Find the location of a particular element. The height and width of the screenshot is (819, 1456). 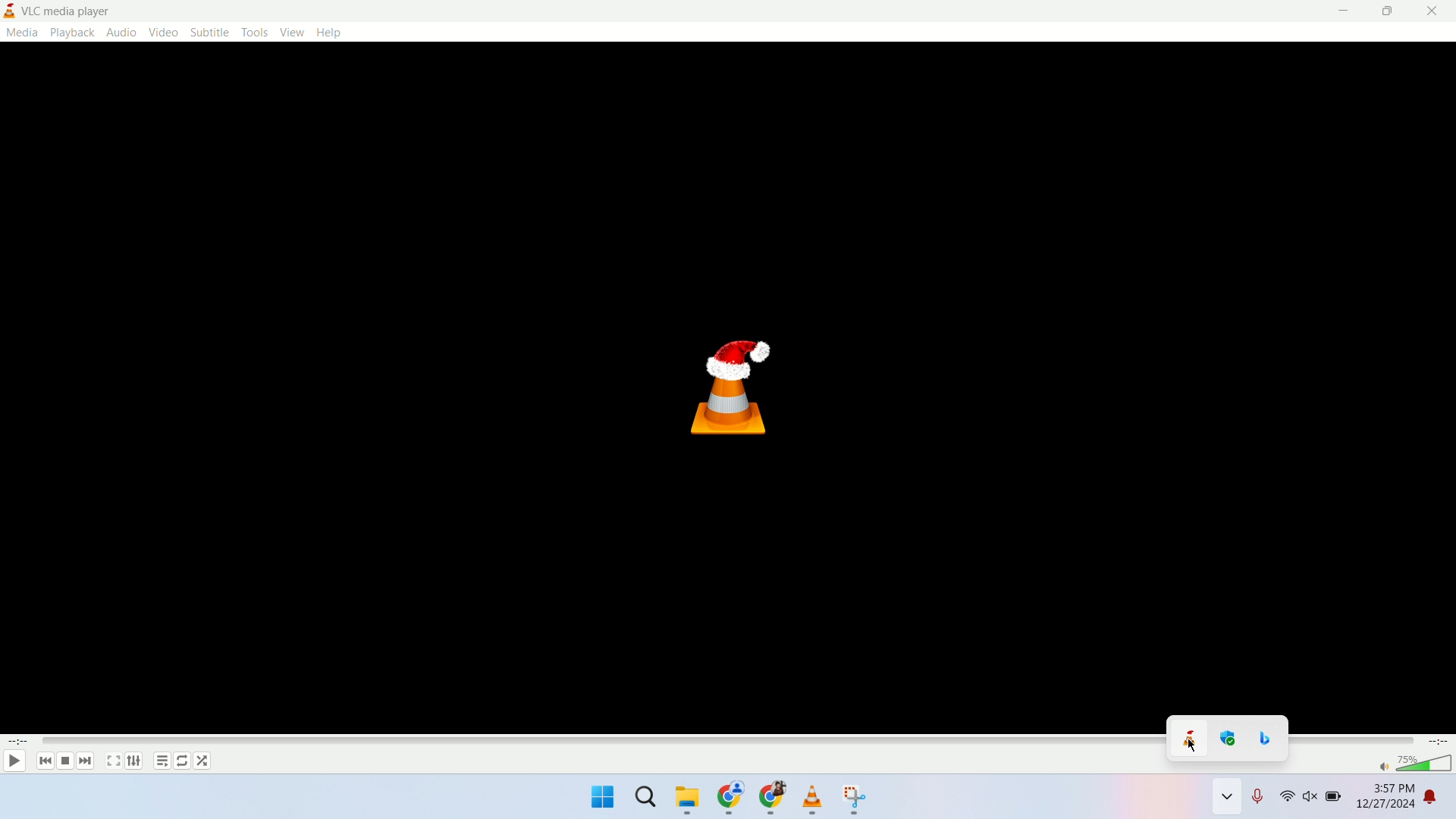

application icon is located at coordinates (11, 11).